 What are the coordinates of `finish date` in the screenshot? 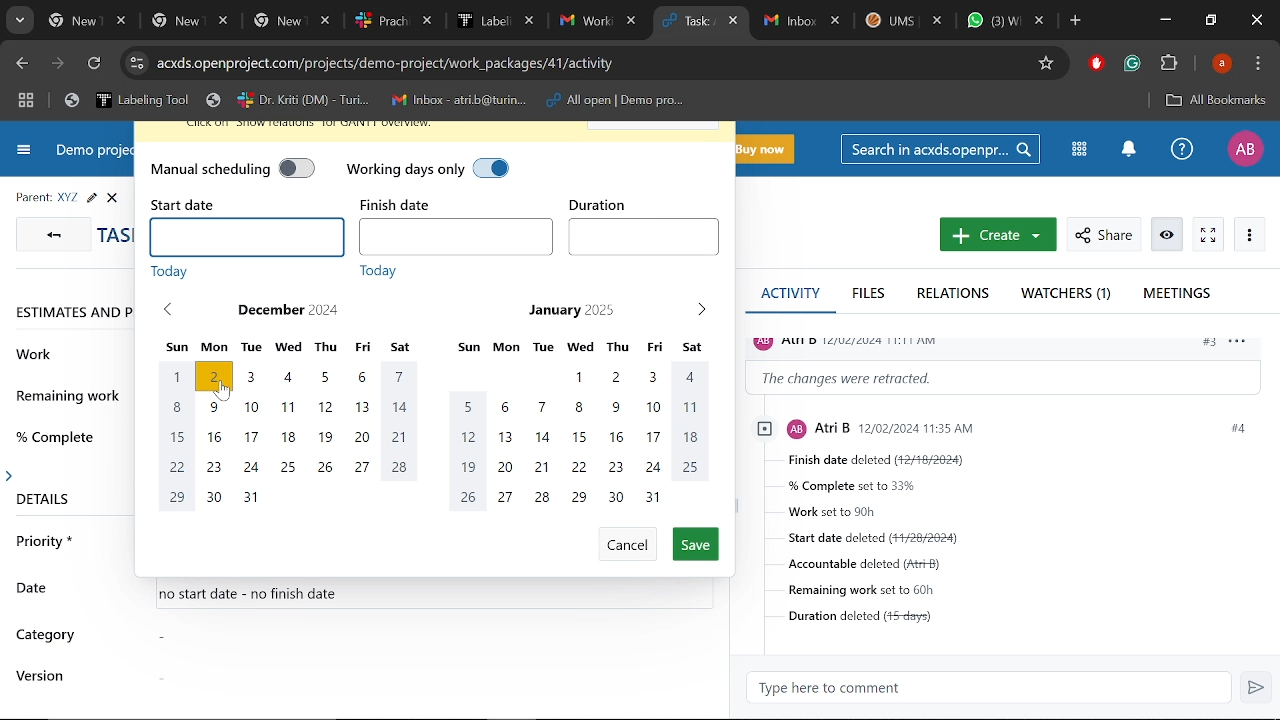 It's located at (416, 205).